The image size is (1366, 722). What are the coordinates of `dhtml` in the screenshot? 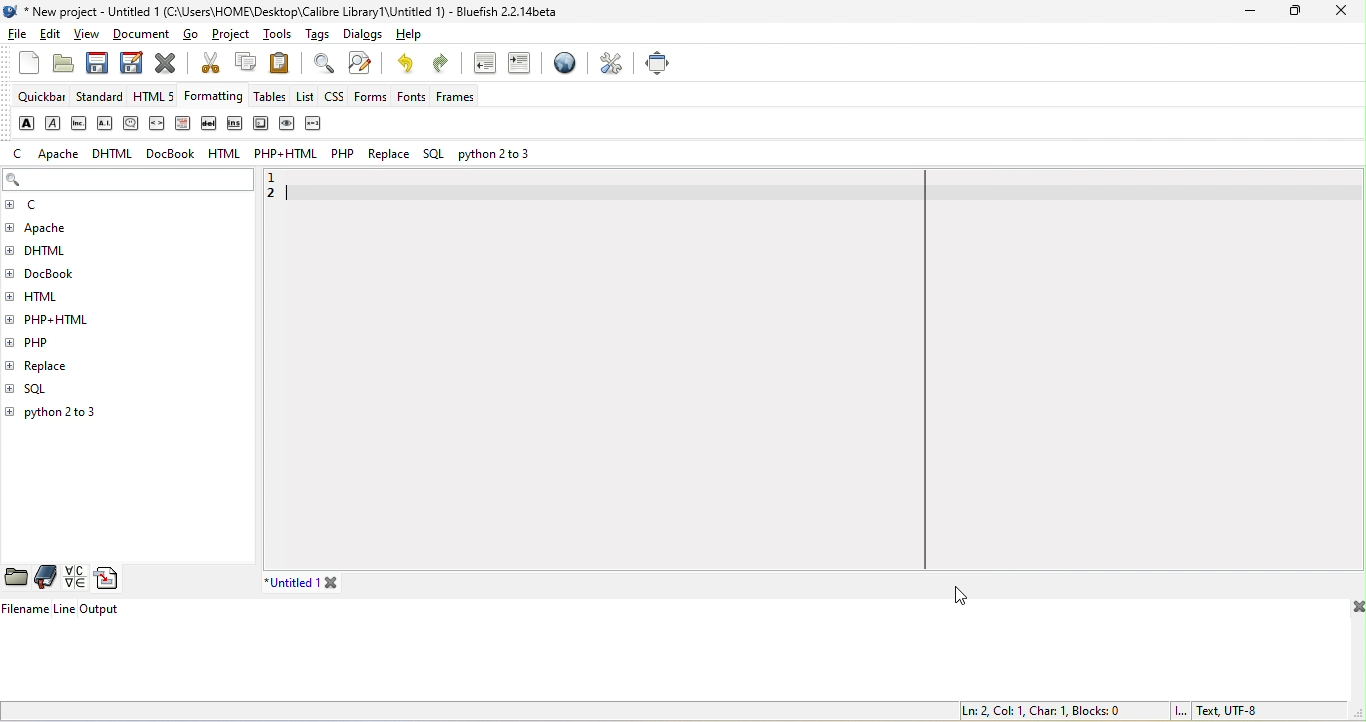 It's located at (53, 254).